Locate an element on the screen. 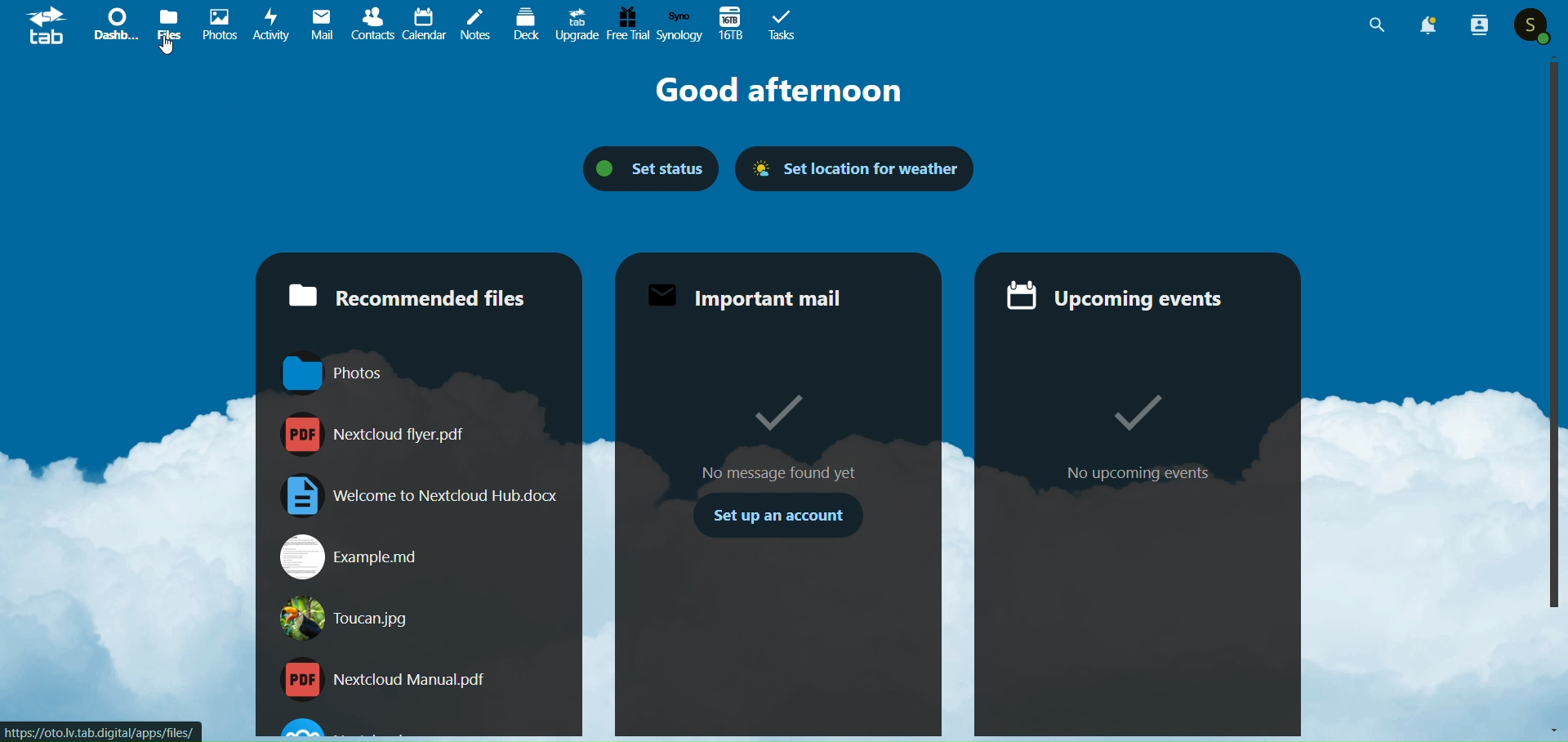 The height and width of the screenshot is (742, 1568). picture is located at coordinates (220, 26).